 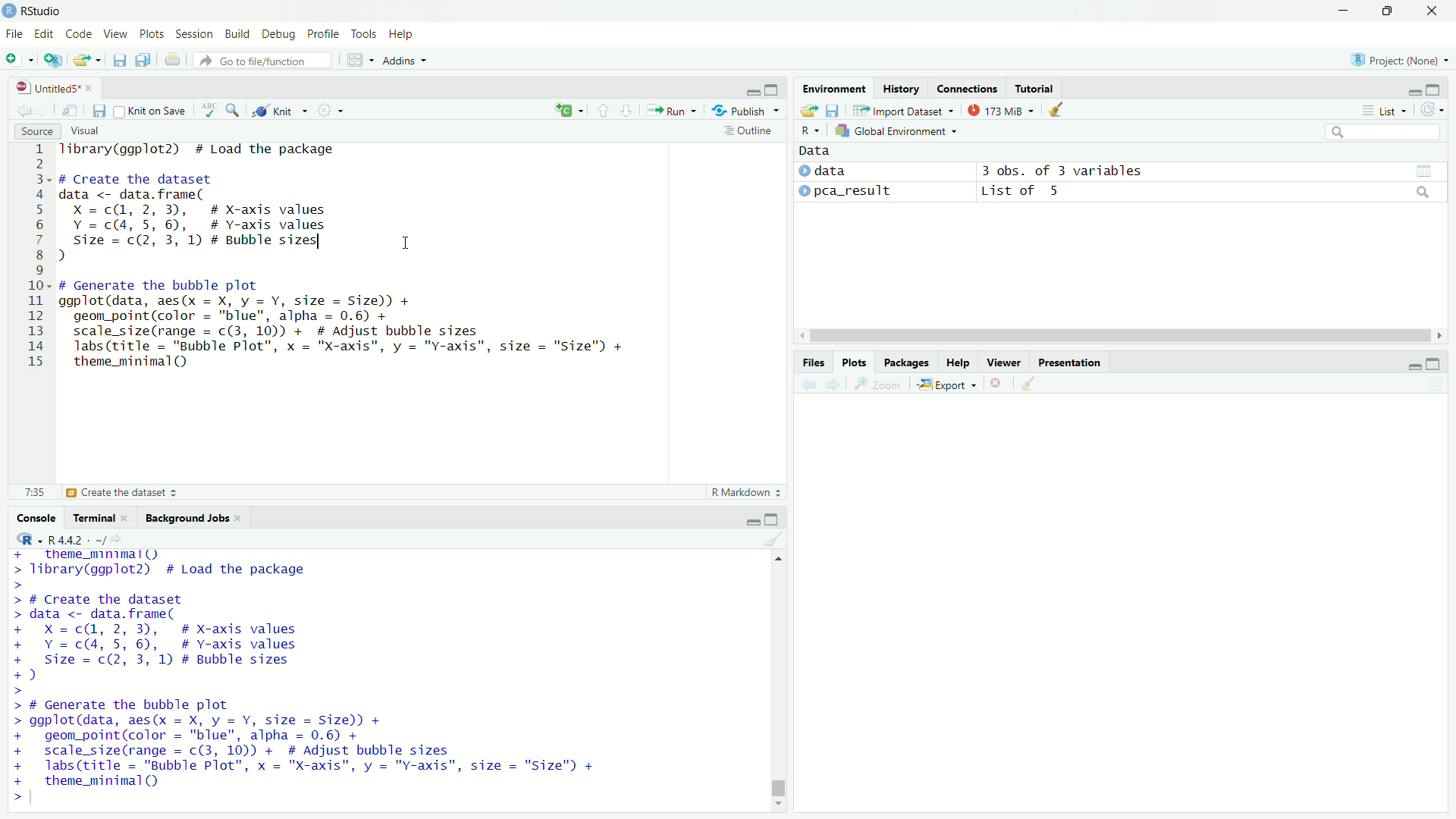 What do you see at coordinates (947, 385) in the screenshot?
I see `export` at bounding box center [947, 385].